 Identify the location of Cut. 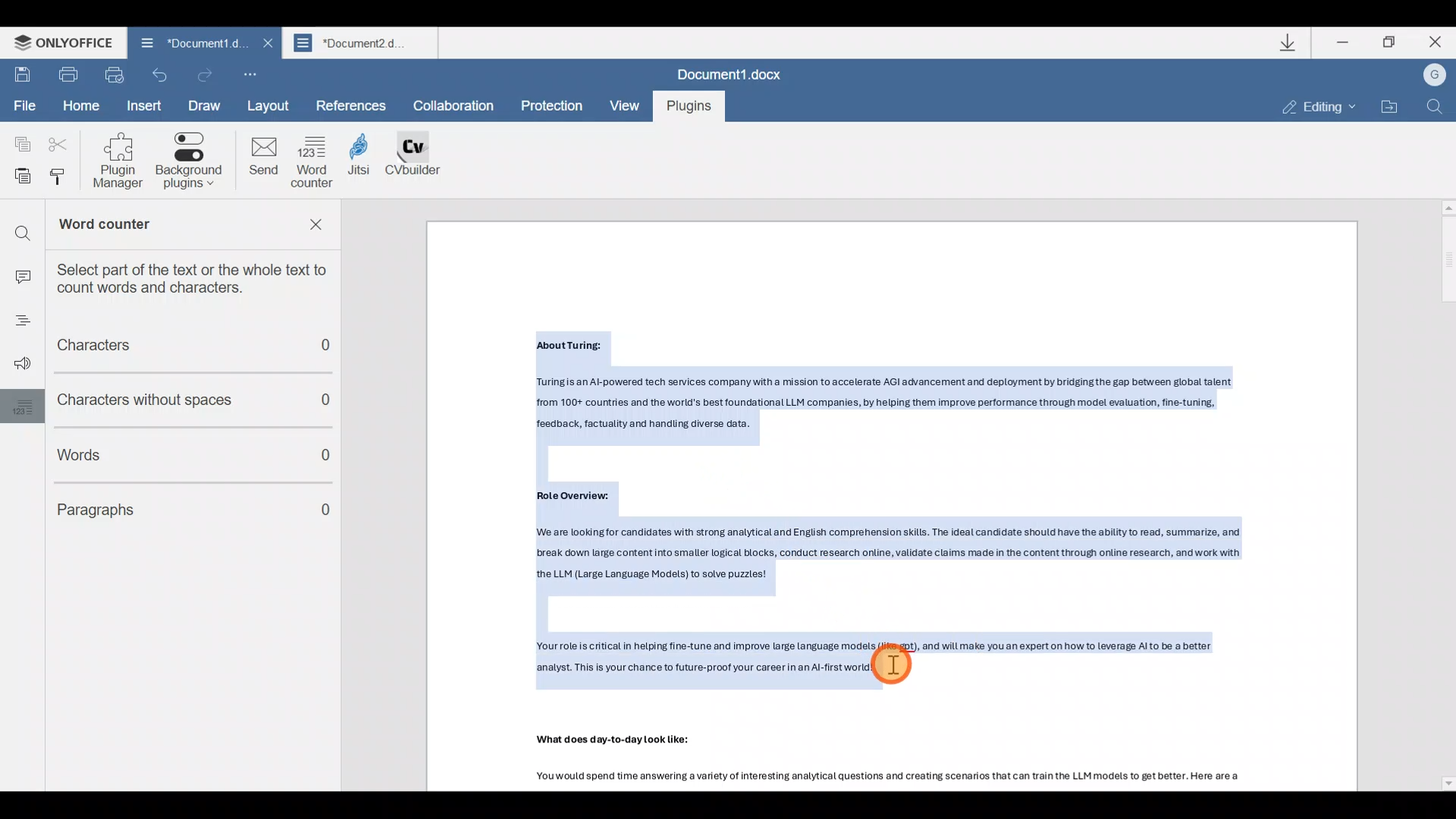
(56, 145).